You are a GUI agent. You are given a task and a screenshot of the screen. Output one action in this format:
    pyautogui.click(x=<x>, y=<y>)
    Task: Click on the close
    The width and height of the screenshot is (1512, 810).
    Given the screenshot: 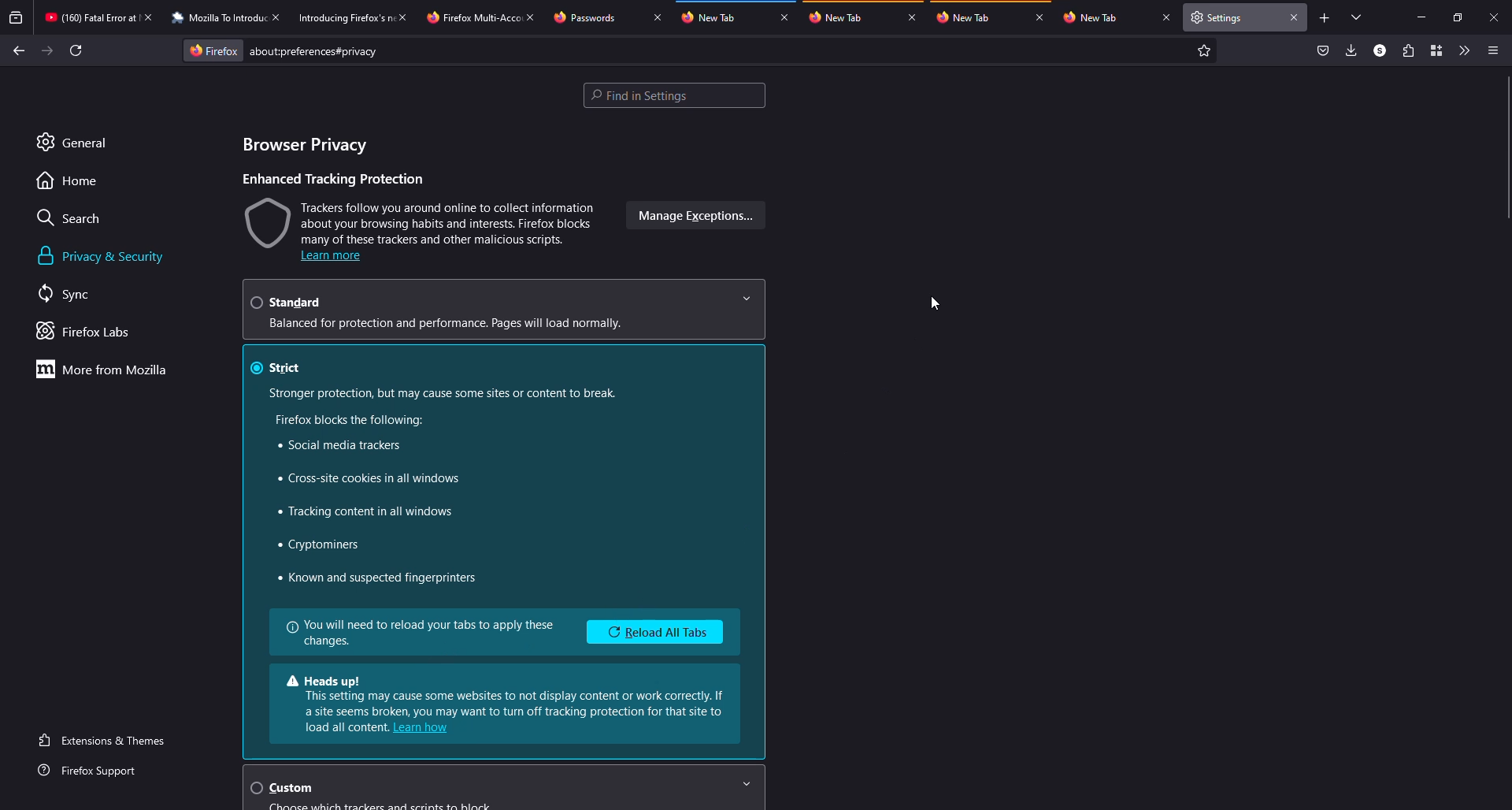 What is the action you would take?
    pyautogui.click(x=1295, y=20)
    